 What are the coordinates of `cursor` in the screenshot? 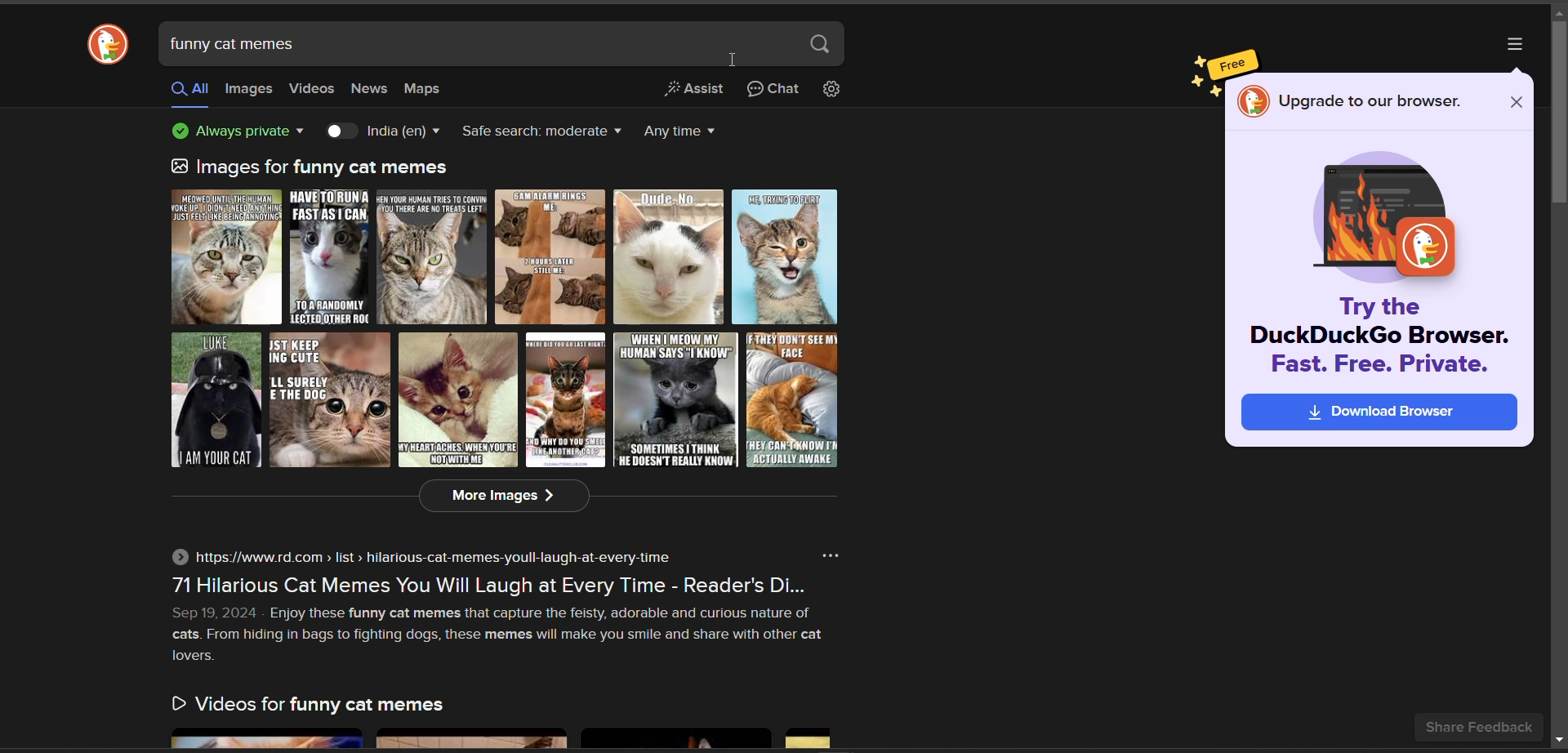 It's located at (733, 59).